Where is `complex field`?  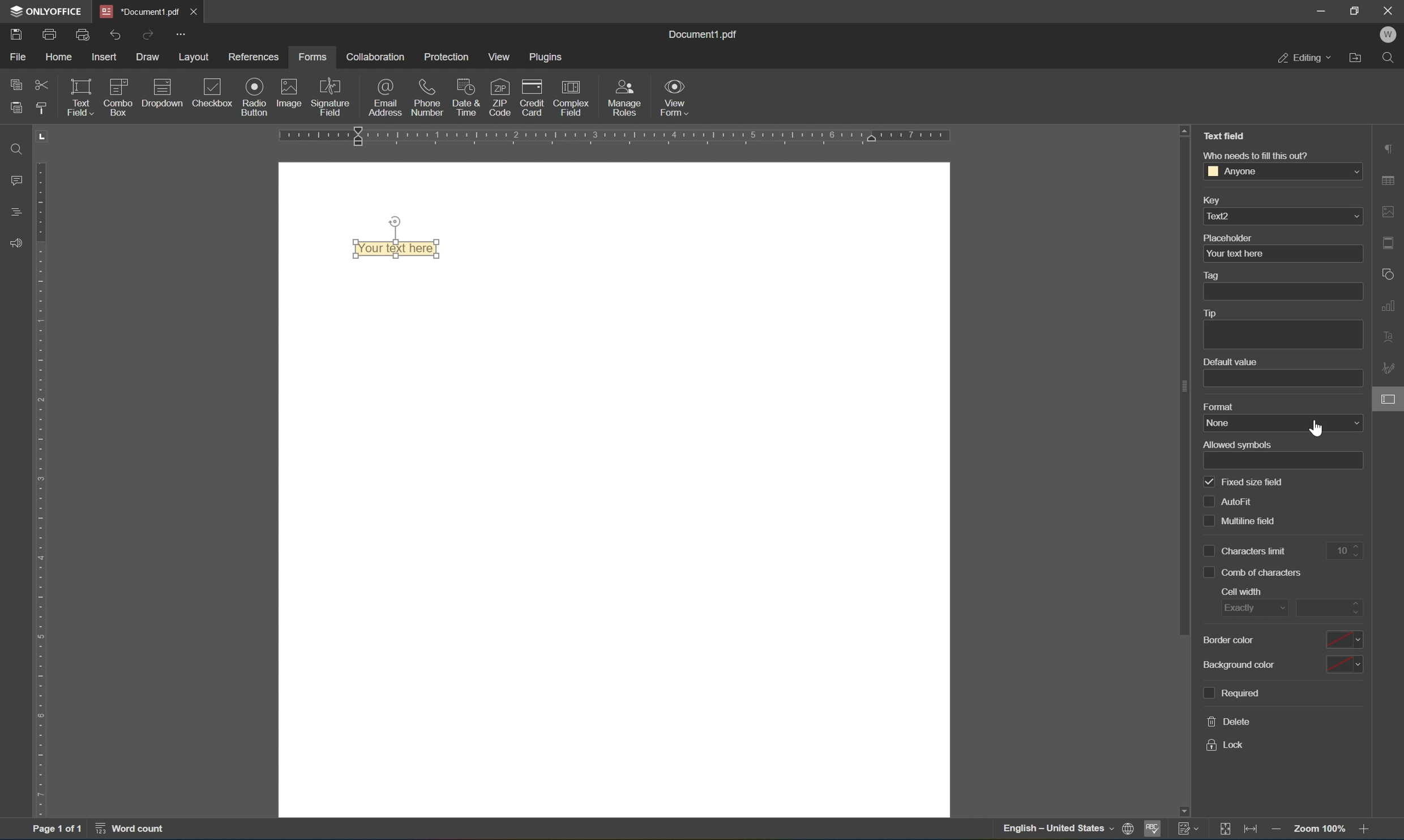 complex field is located at coordinates (571, 97).